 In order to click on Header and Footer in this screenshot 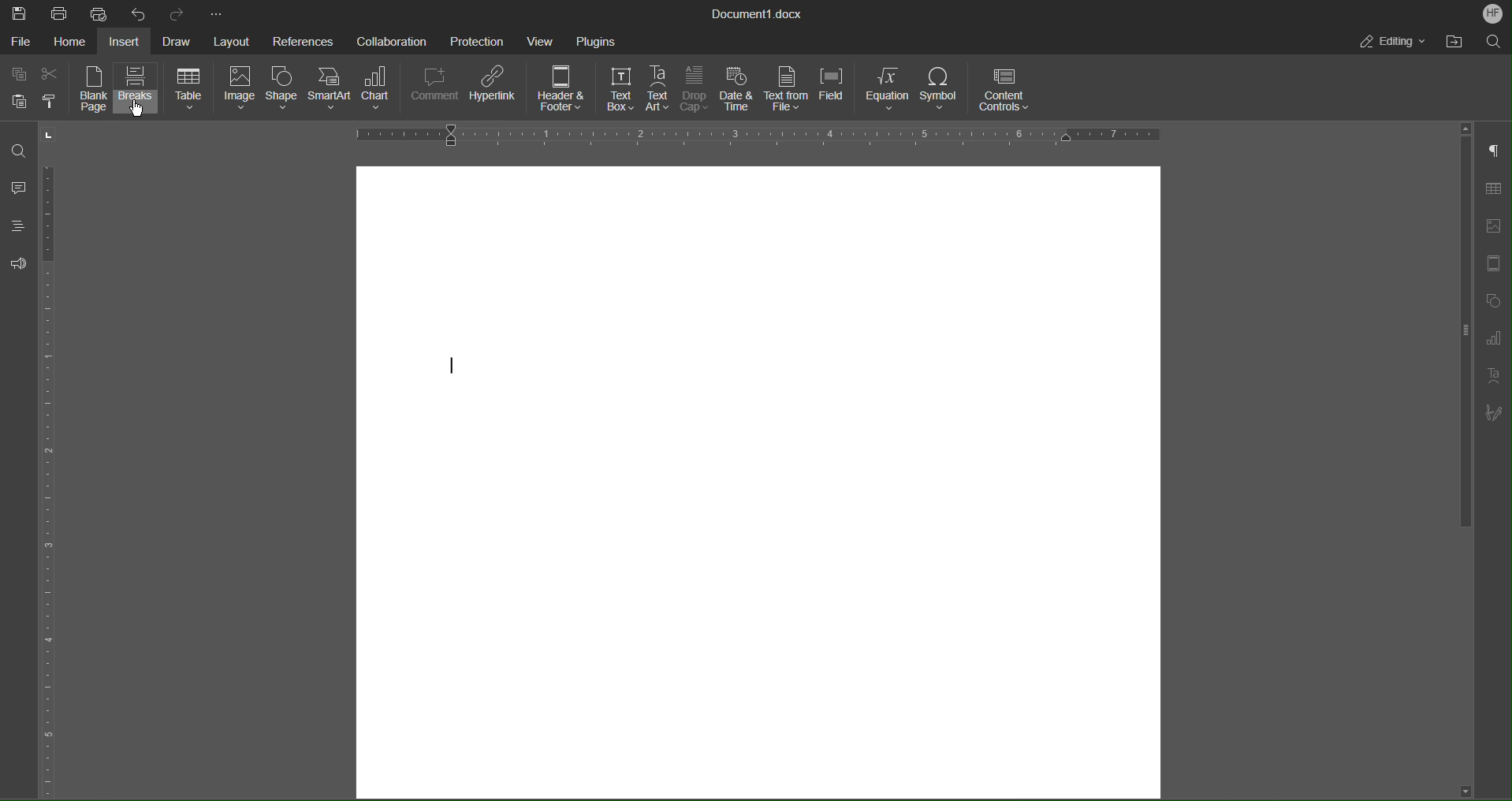, I will do `click(564, 89)`.